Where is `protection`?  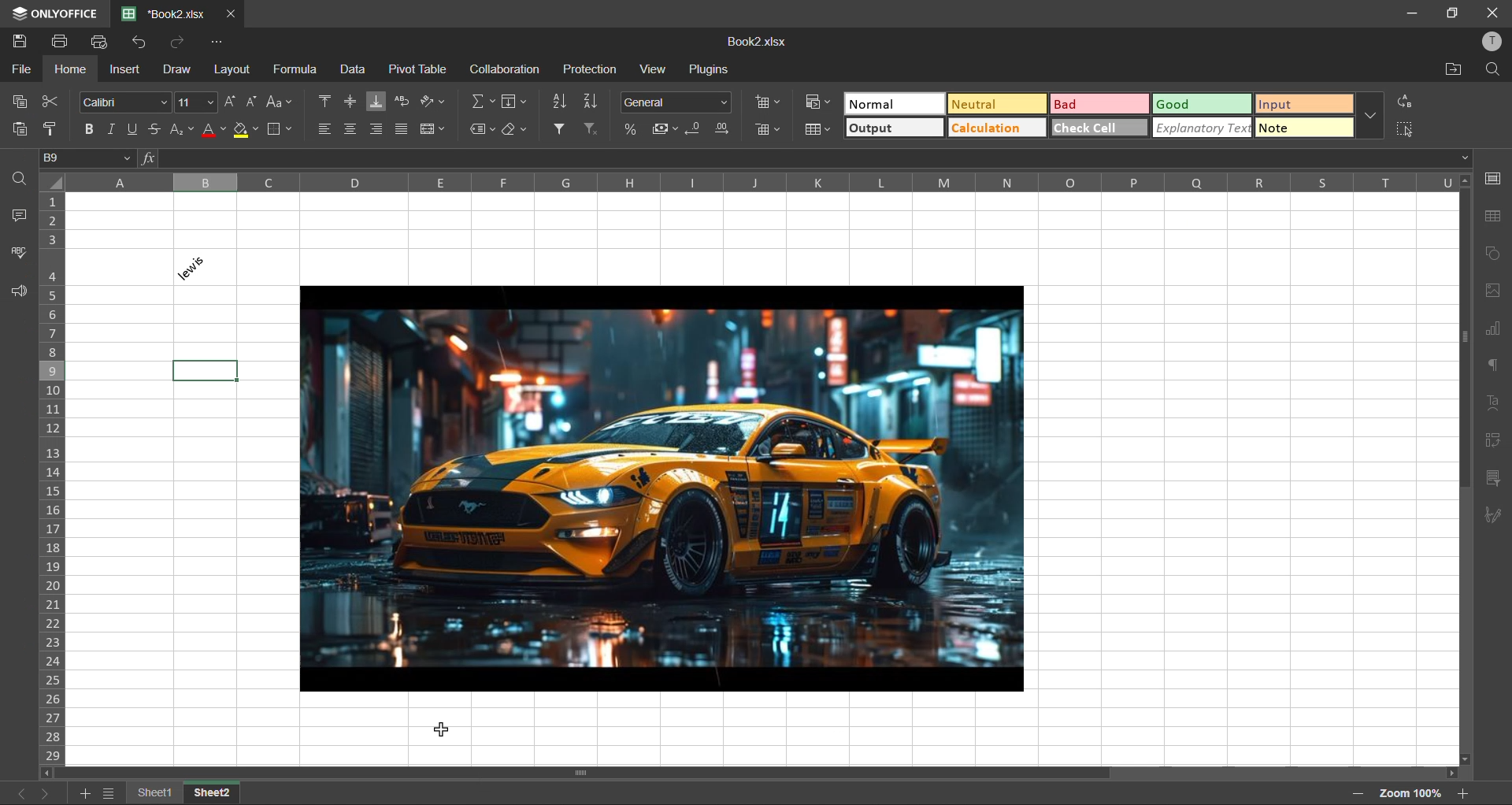 protection is located at coordinates (590, 69).